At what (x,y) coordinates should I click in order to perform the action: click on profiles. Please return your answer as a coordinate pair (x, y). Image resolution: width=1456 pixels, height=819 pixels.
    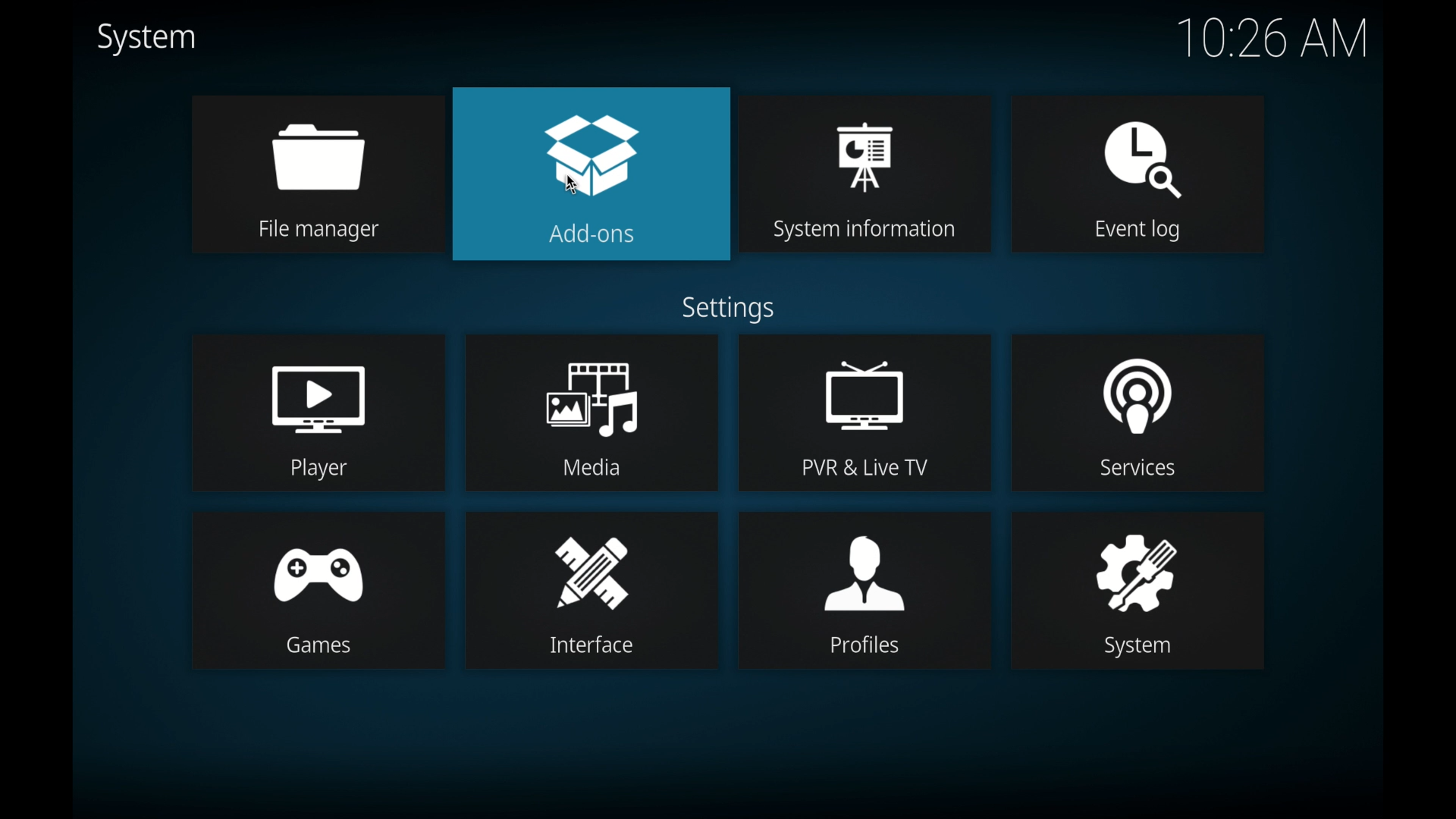
    Looking at the image, I should click on (864, 590).